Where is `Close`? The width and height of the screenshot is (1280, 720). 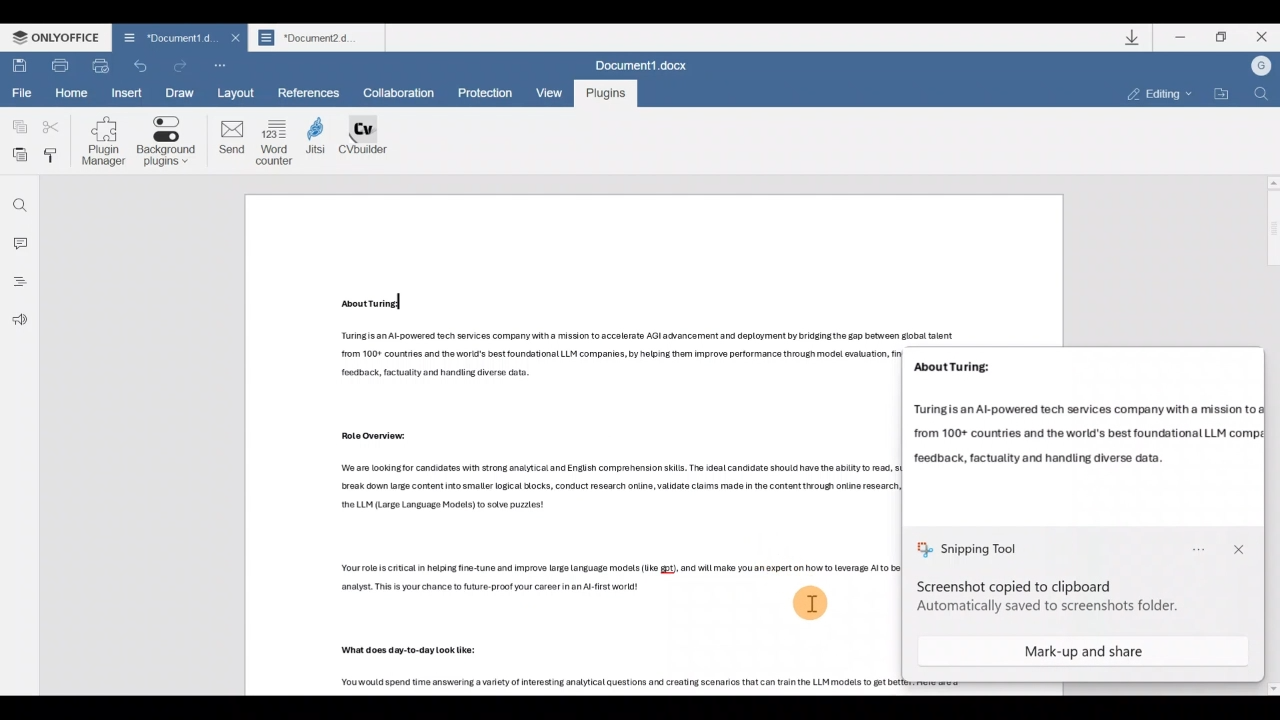 Close is located at coordinates (1262, 40).